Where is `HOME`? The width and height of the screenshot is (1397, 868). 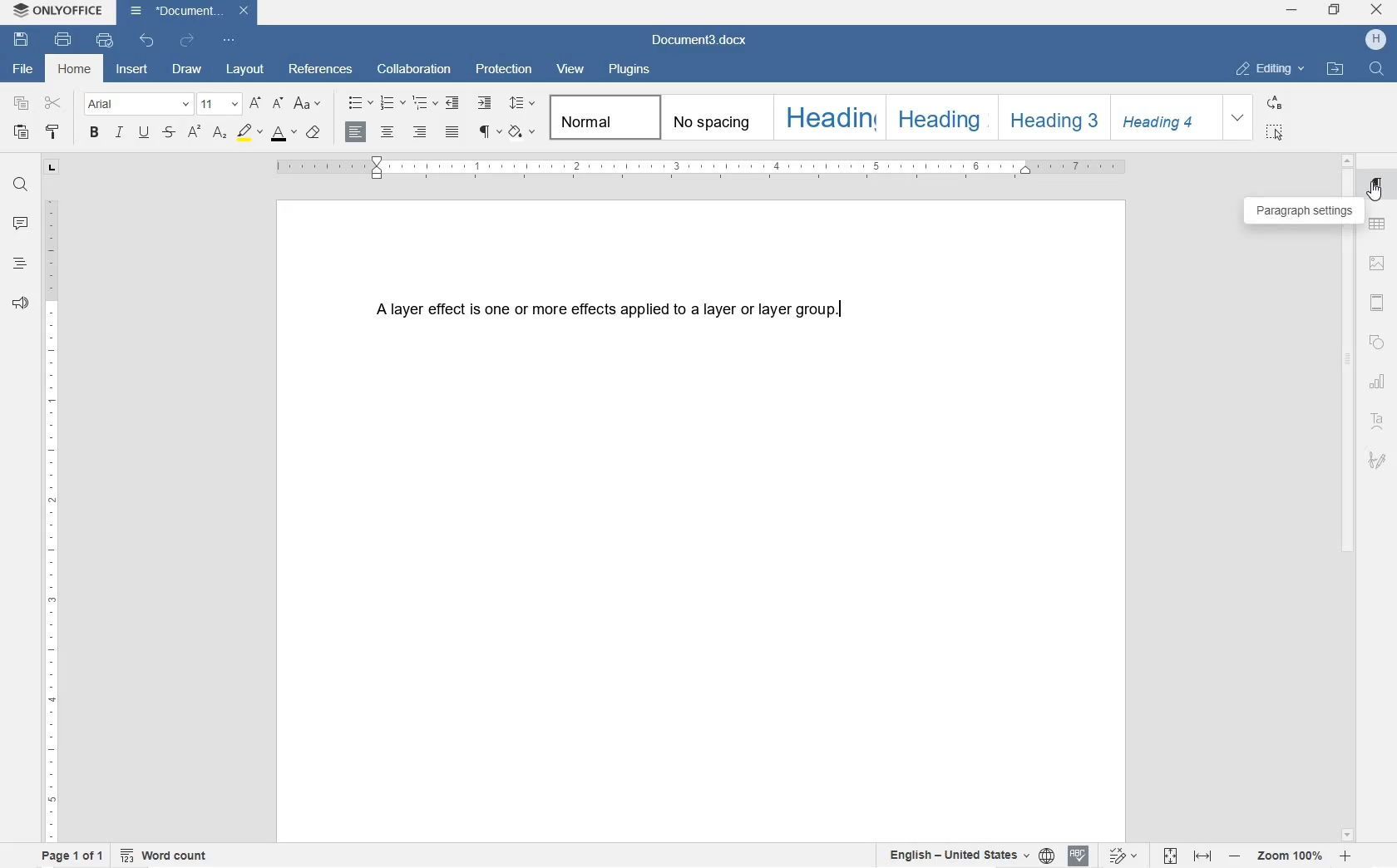 HOME is located at coordinates (77, 69).